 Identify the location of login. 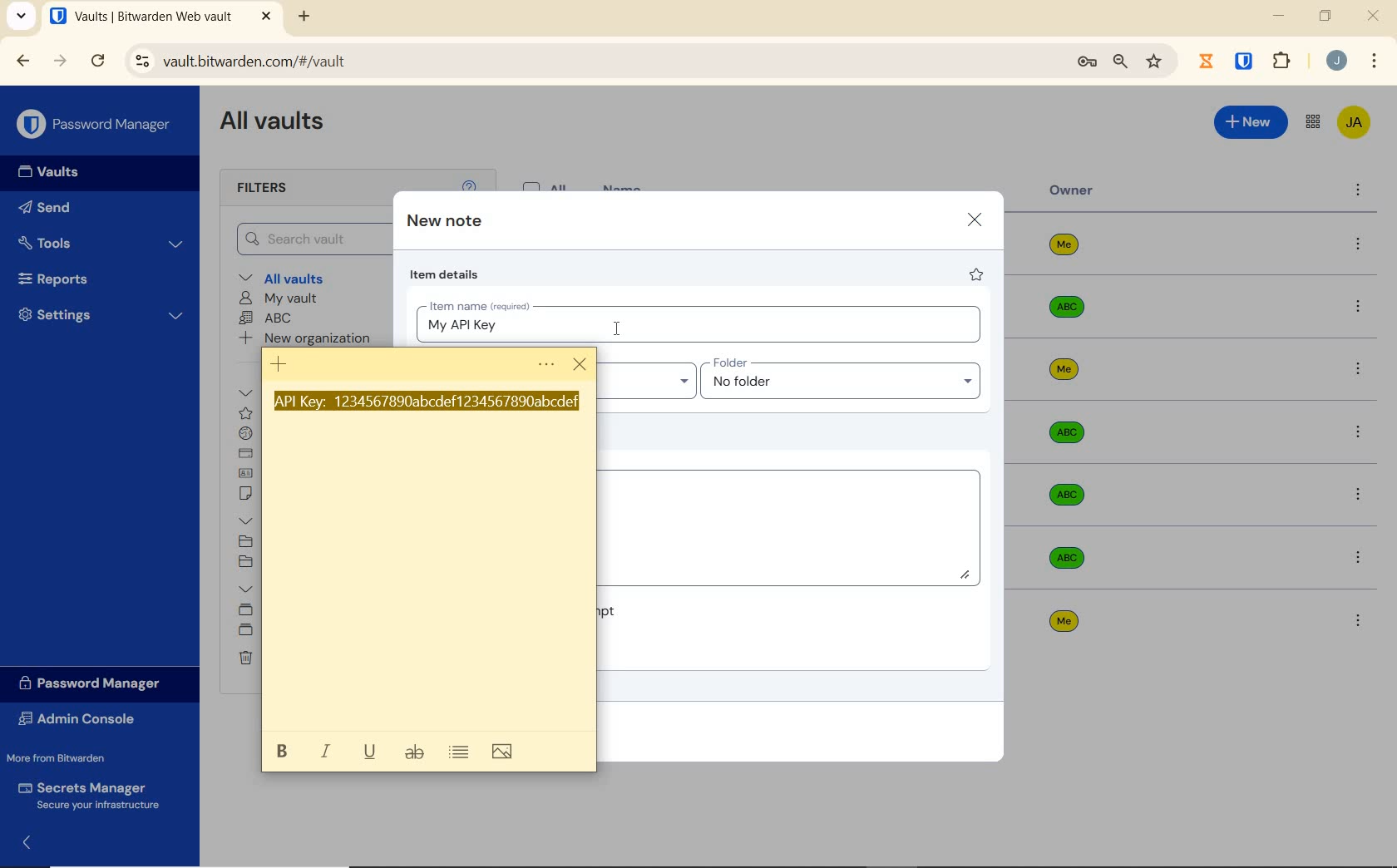
(247, 435).